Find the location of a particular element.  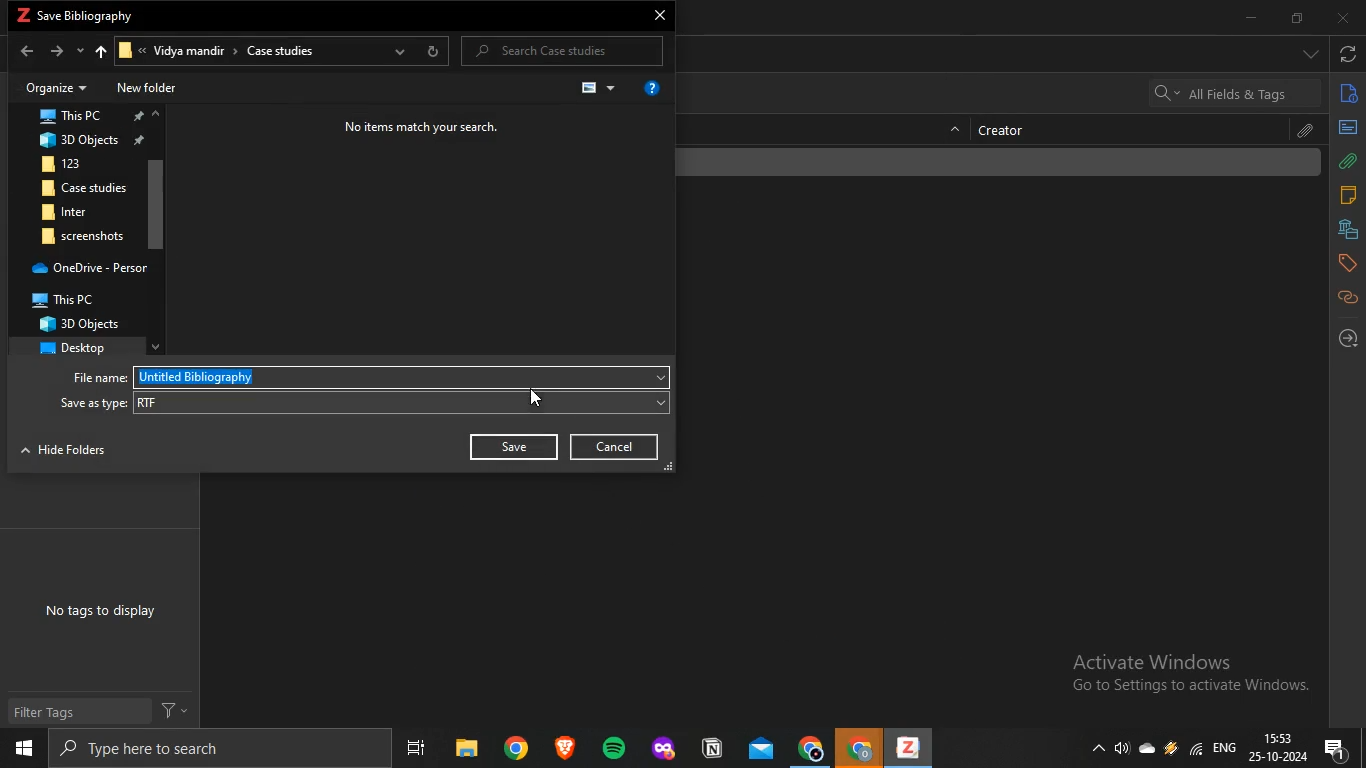

save bibliography is located at coordinates (100, 17).